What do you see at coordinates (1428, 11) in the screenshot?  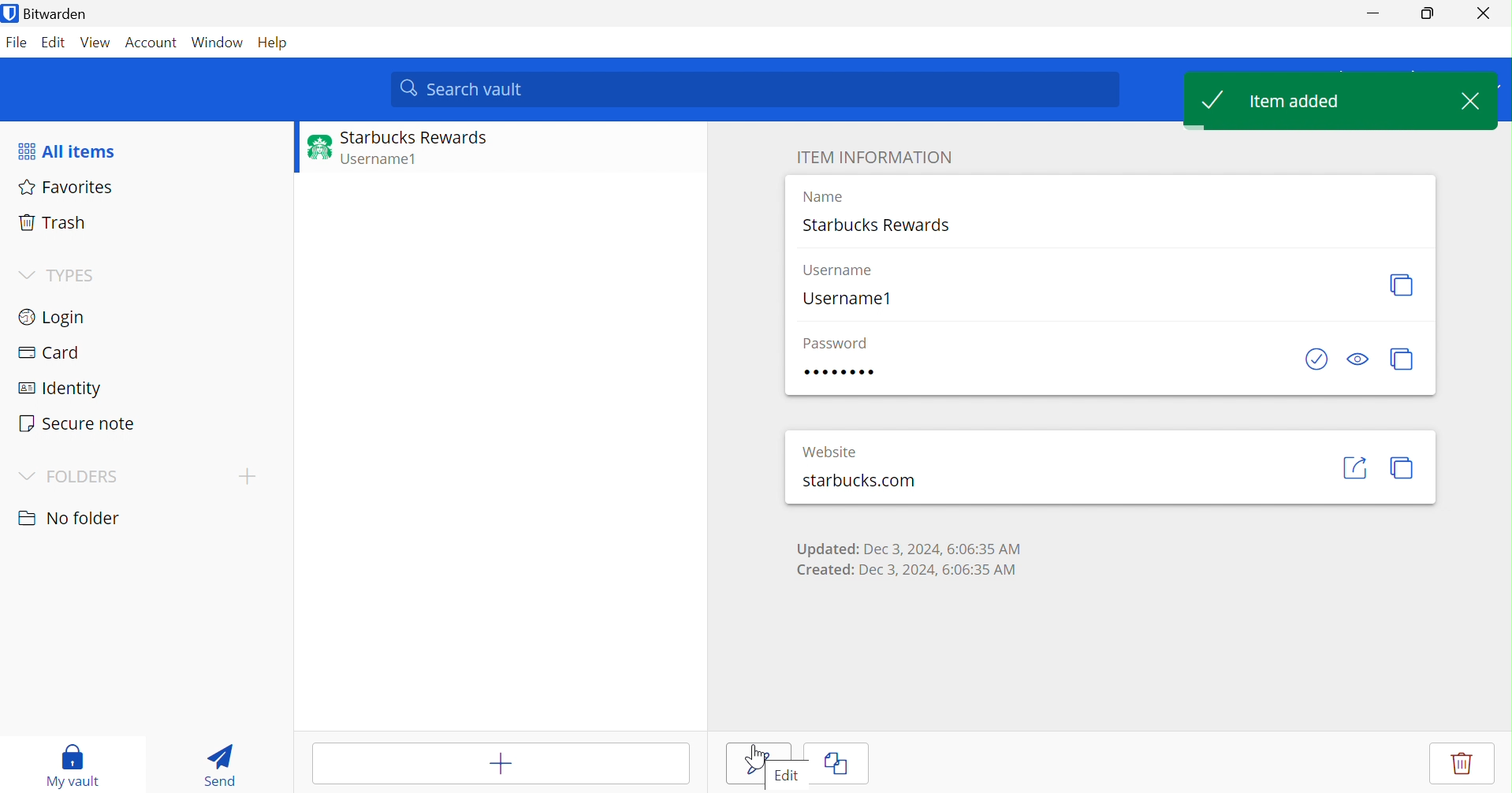 I see `Restore Down` at bounding box center [1428, 11].